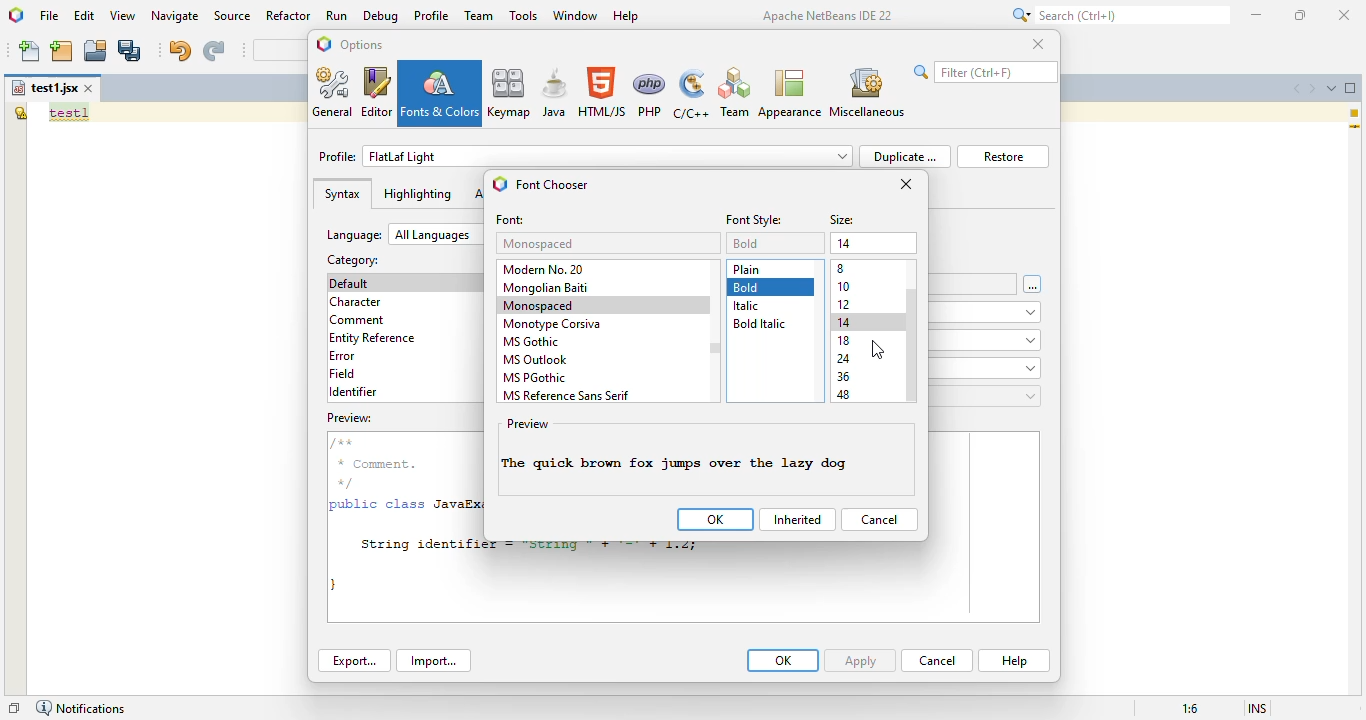 Image resolution: width=1366 pixels, height=720 pixels. I want to click on C/C++, so click(692, 94).